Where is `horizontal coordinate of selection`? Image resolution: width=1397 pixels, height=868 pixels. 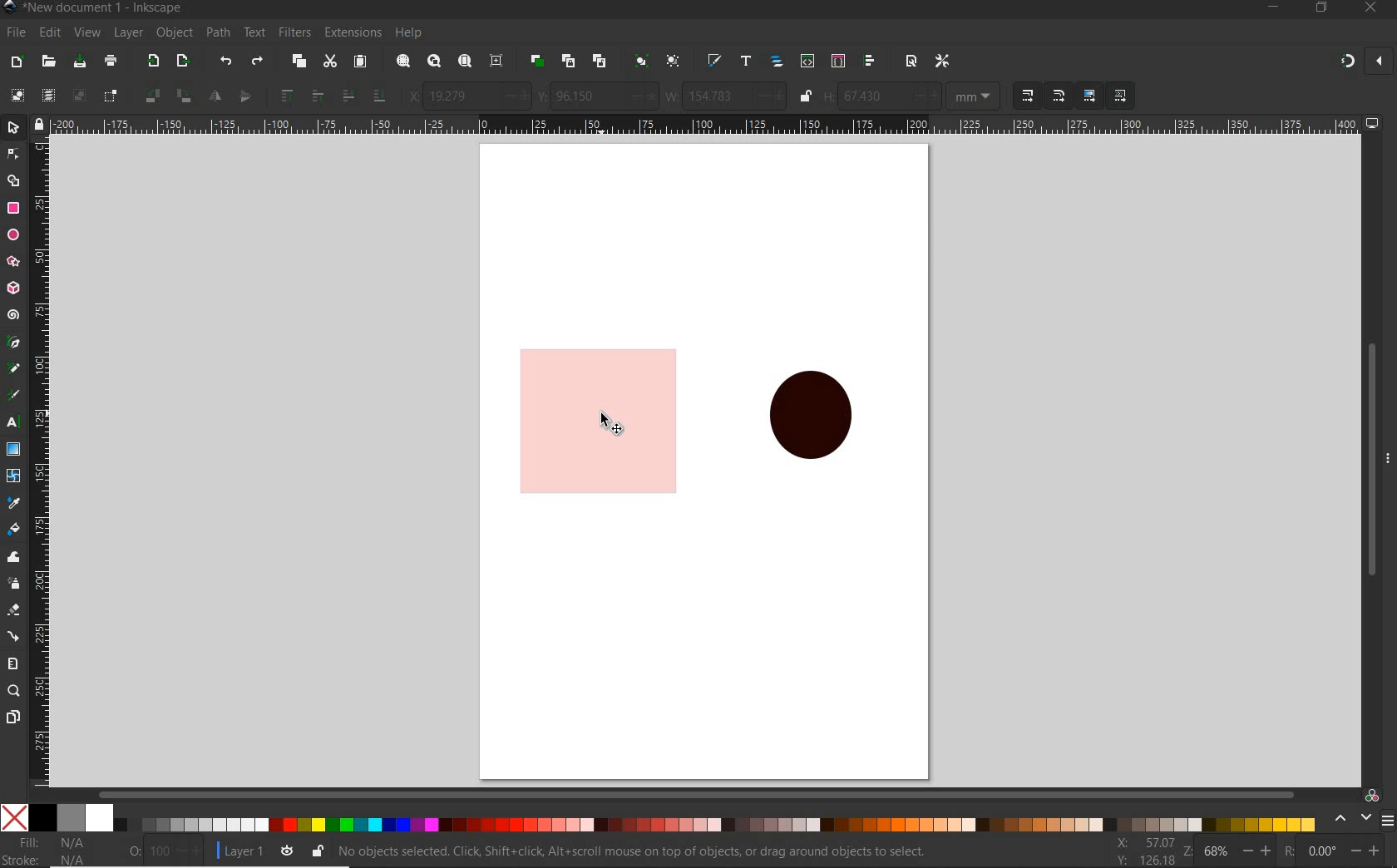
horizontal coordinate of selection is located at coordinates (468, 96).